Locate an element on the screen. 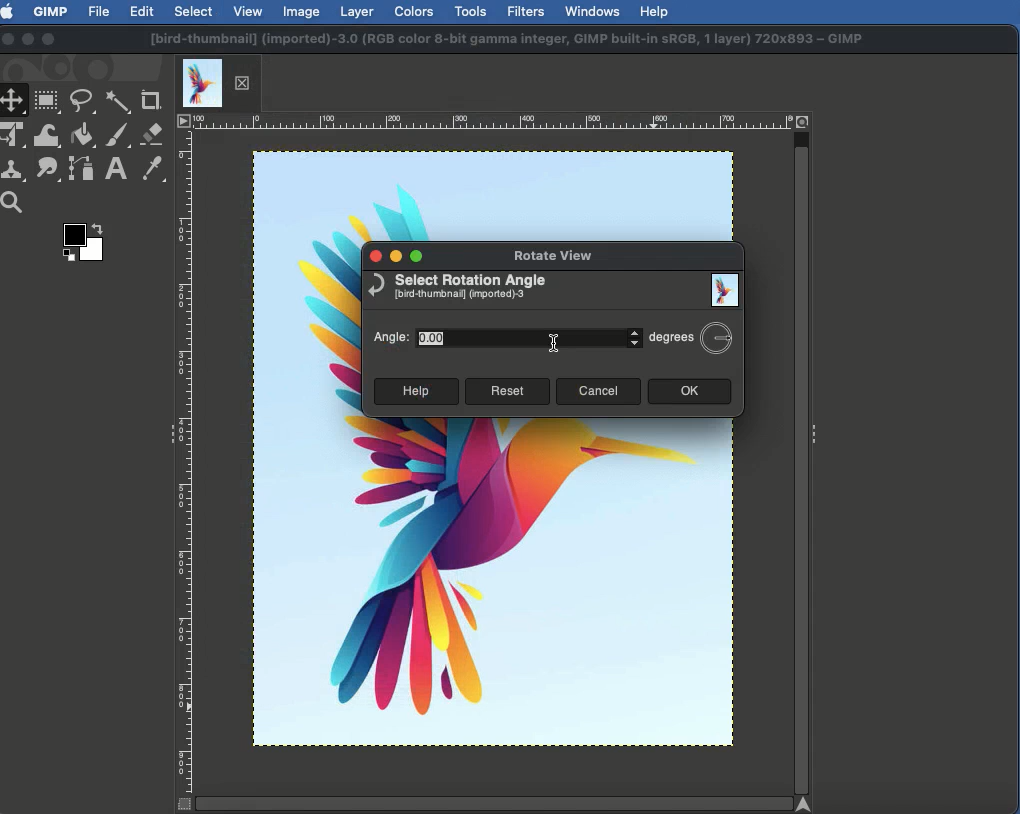  Paint is located at coordinates (116, 137).